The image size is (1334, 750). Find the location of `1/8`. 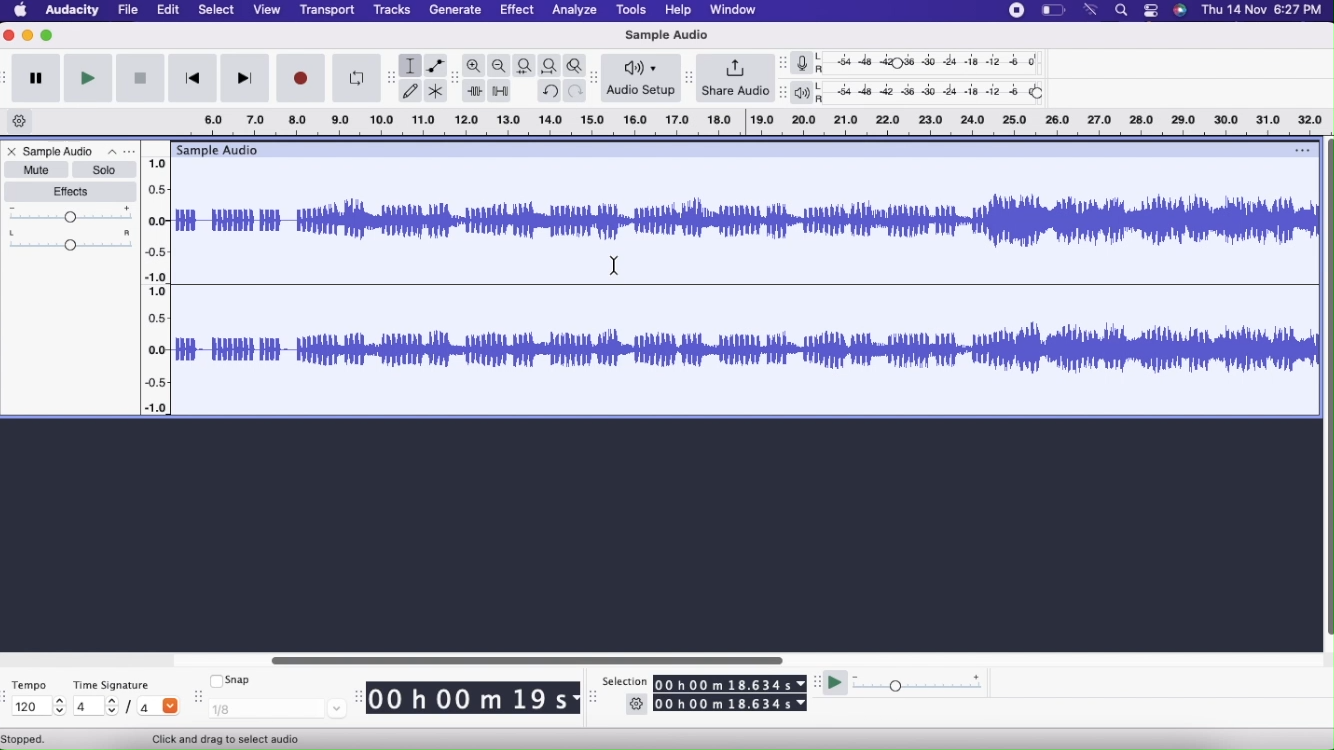

1/8 is located at coordinates (276, 711).